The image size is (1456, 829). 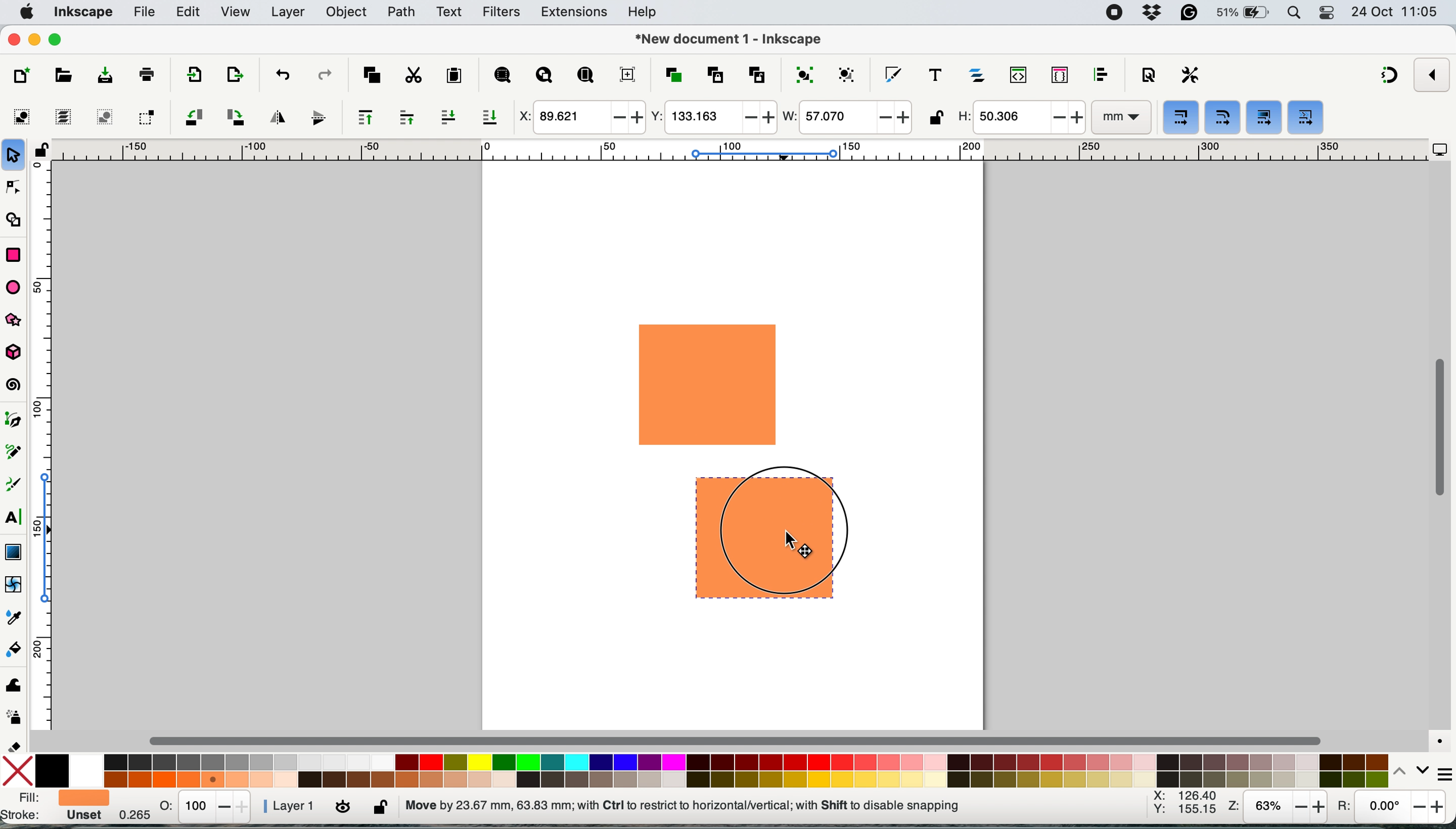 What do you see at coordinates (143, 13) in the screenshot?
I see `file` at bounding box center [143, 13].